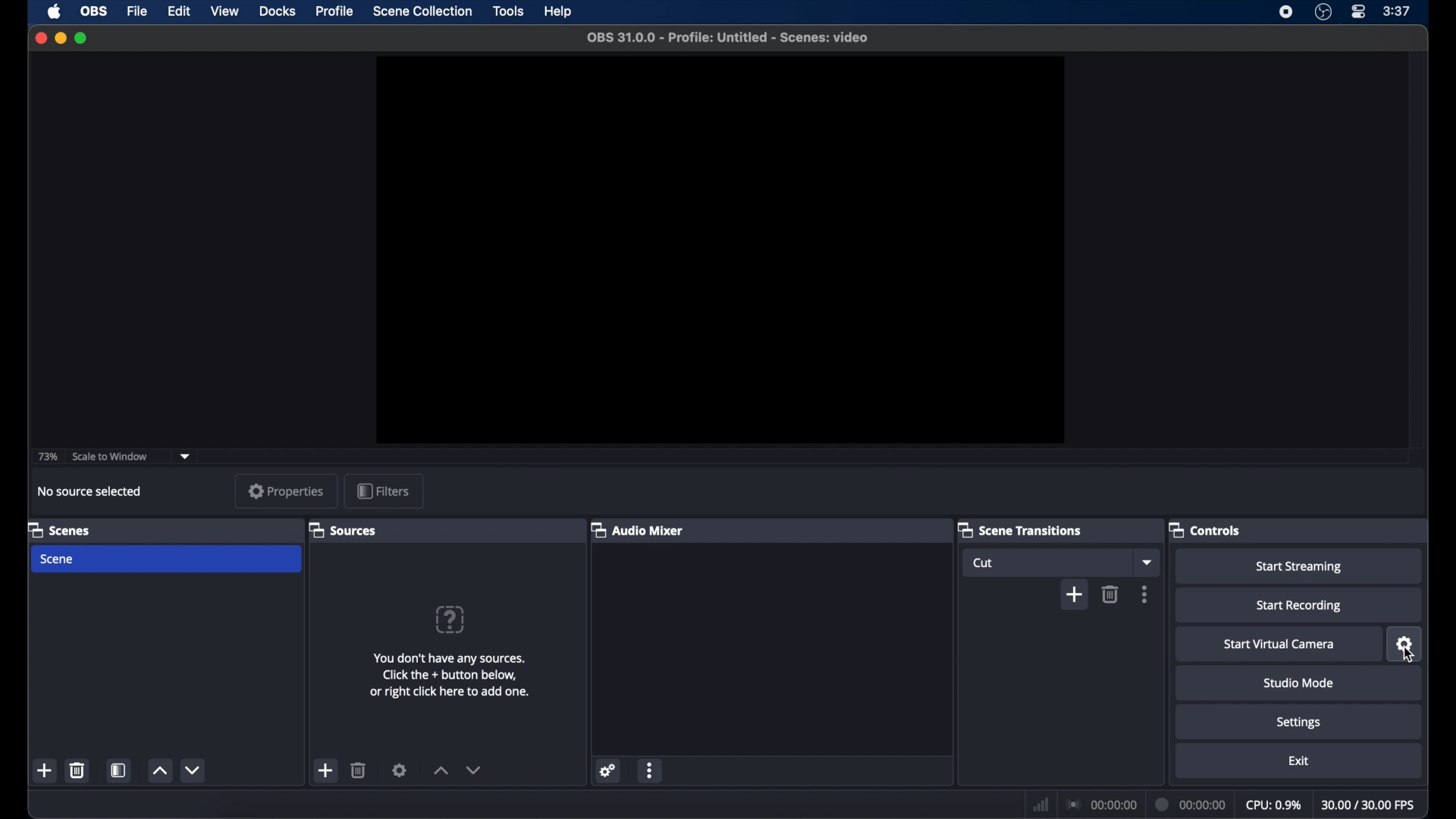  I want to click on obs studio, so click(1323, 12).